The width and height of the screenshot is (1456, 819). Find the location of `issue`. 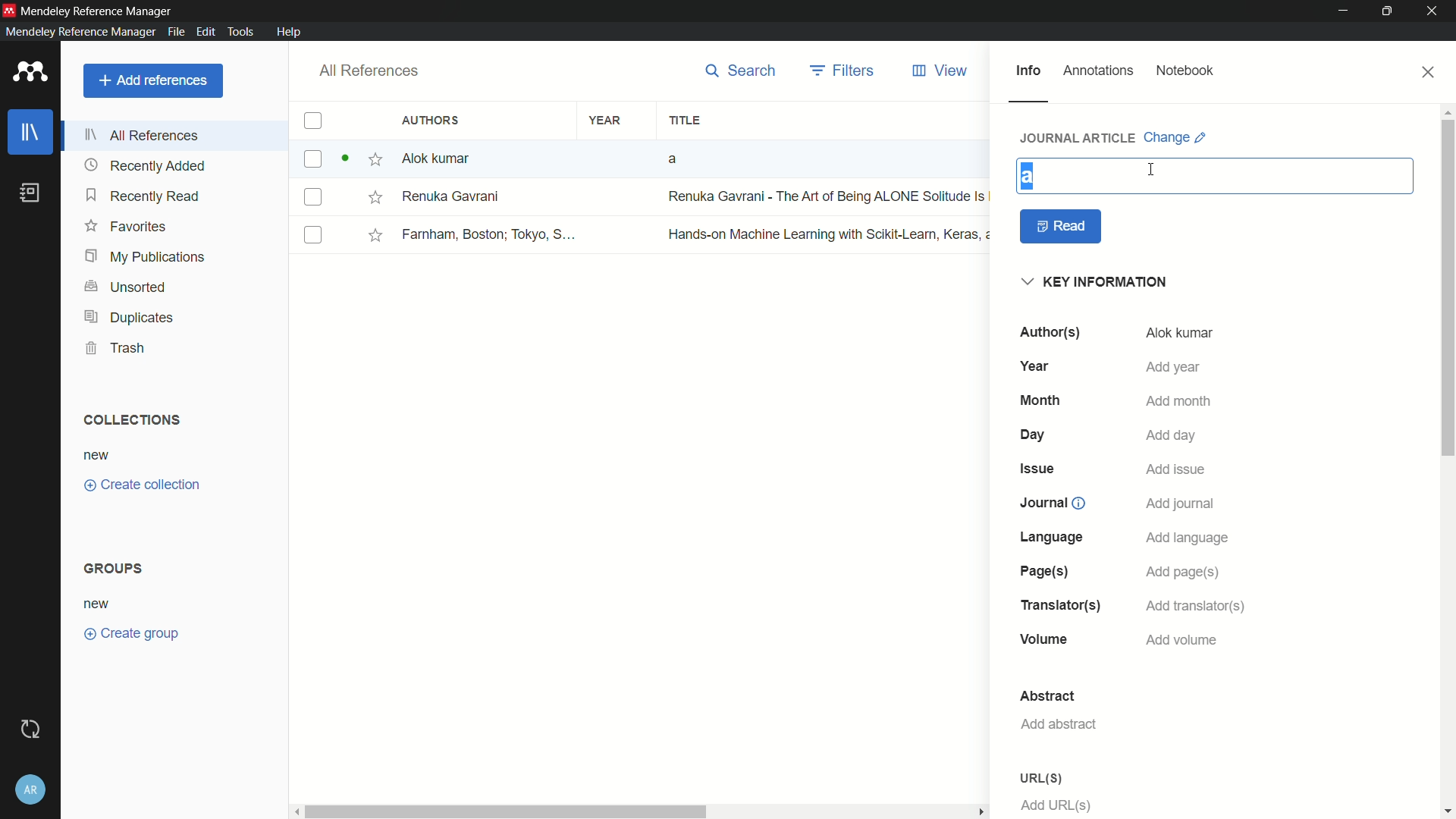

issue is located at coordinates (1040, 468).